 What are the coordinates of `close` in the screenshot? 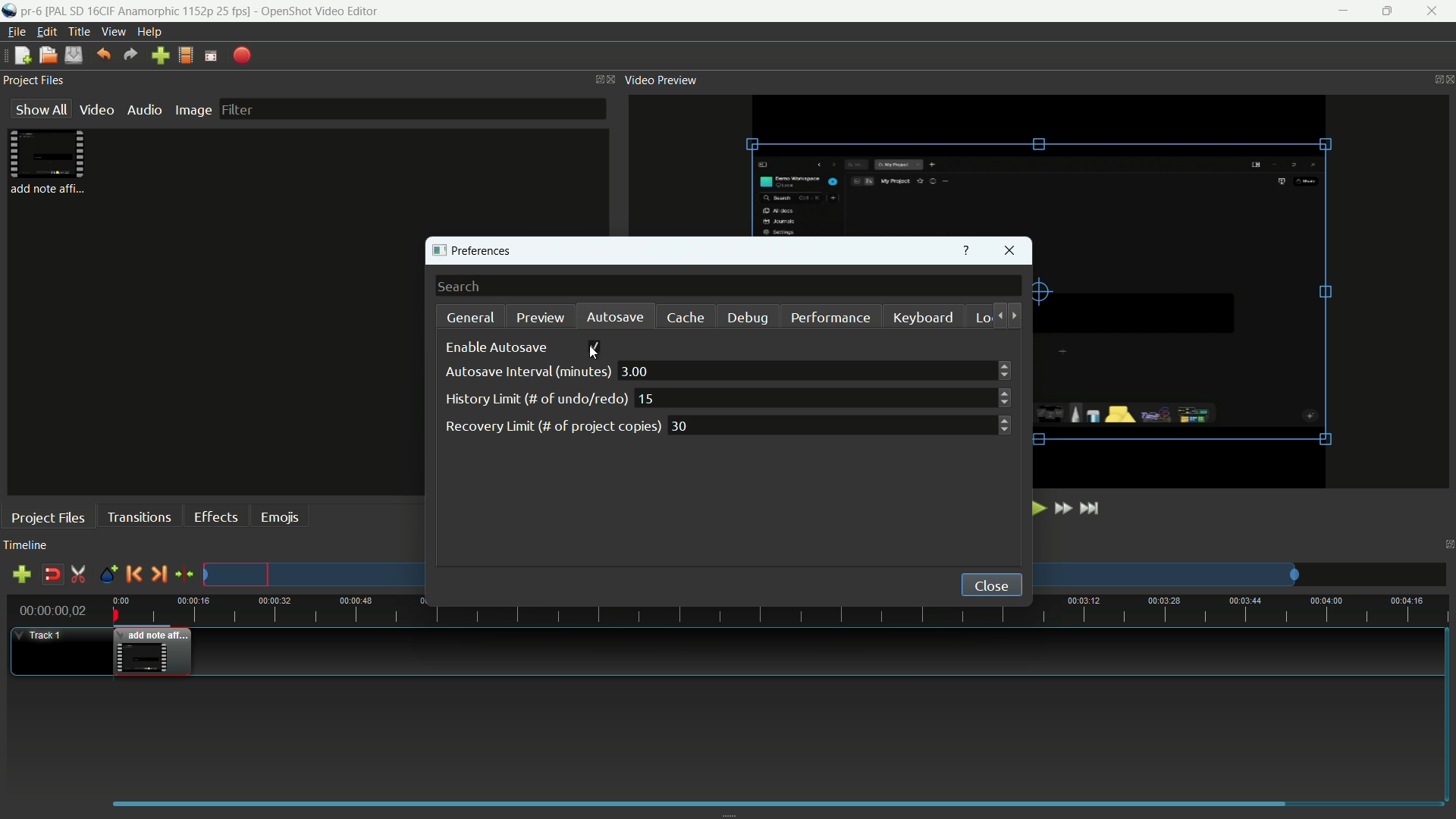 It's located at (991, 585).